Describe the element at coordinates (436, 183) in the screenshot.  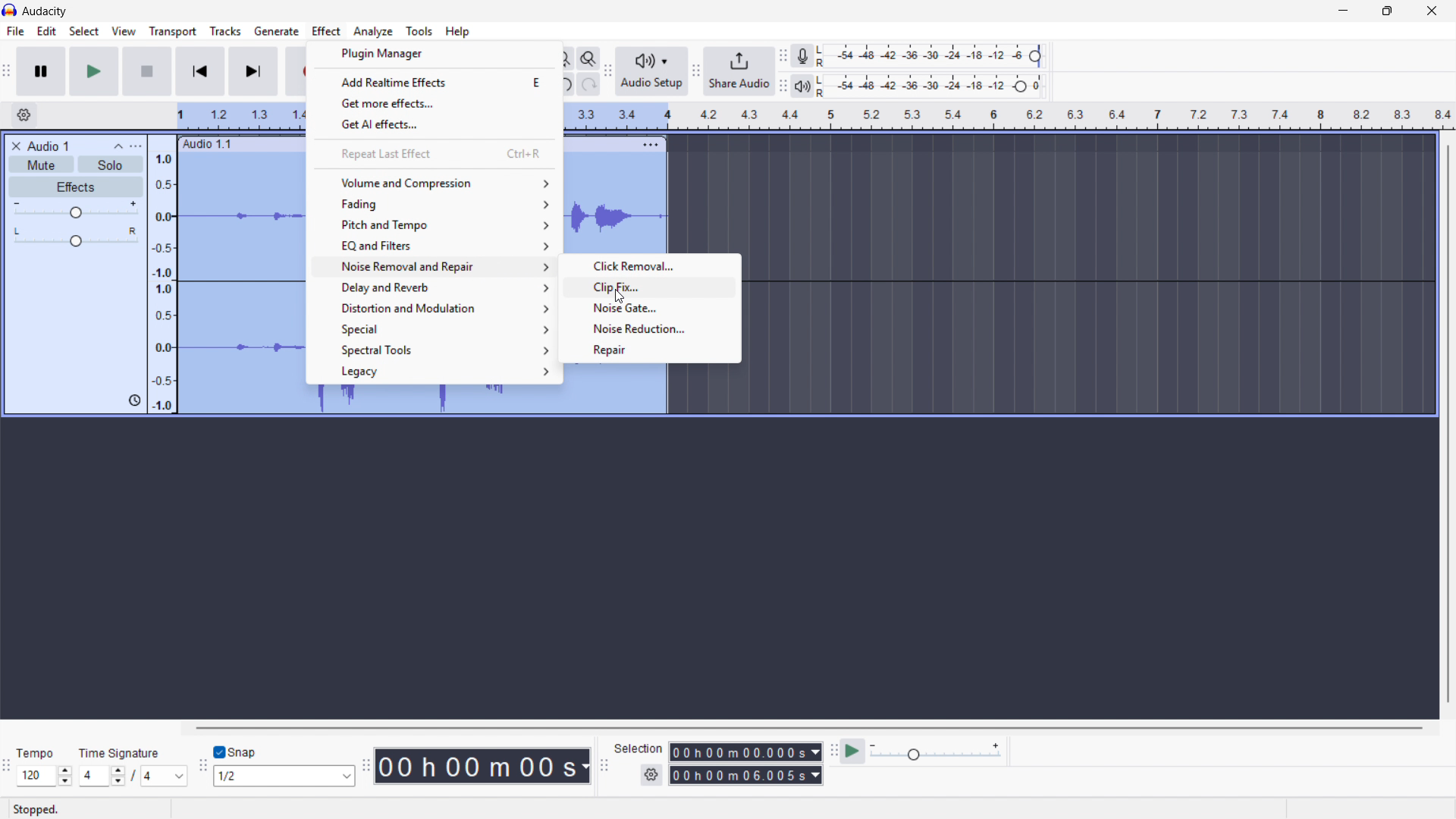
I see `Volume and compression ` at that location.